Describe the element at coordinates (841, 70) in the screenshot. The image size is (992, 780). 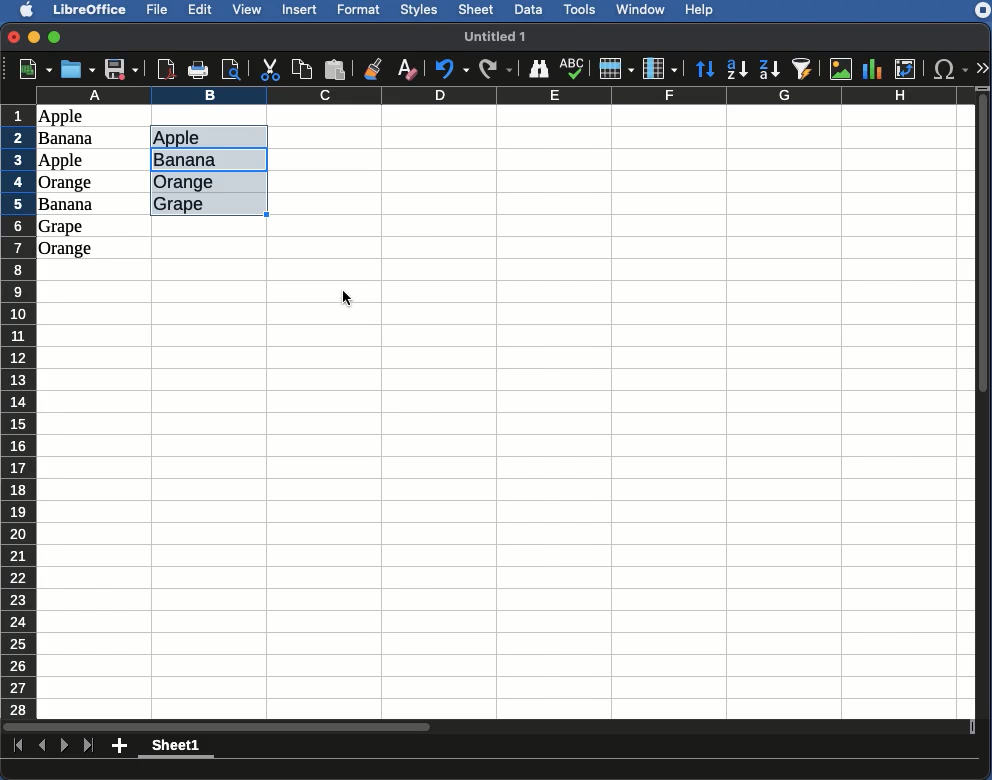
I see `Image` at that location.